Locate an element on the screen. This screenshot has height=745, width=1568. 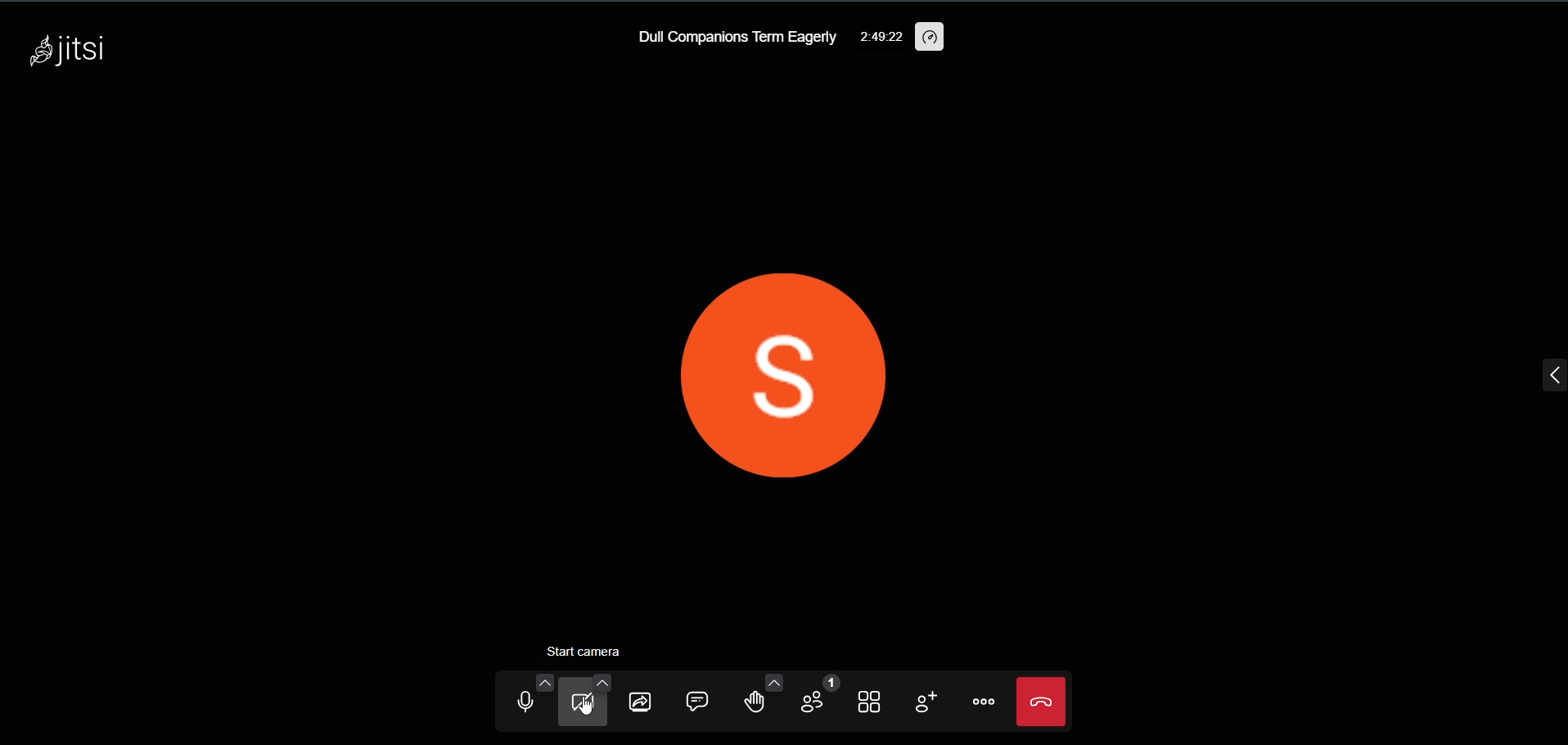
meeting title is located at coordinates (733, 38).